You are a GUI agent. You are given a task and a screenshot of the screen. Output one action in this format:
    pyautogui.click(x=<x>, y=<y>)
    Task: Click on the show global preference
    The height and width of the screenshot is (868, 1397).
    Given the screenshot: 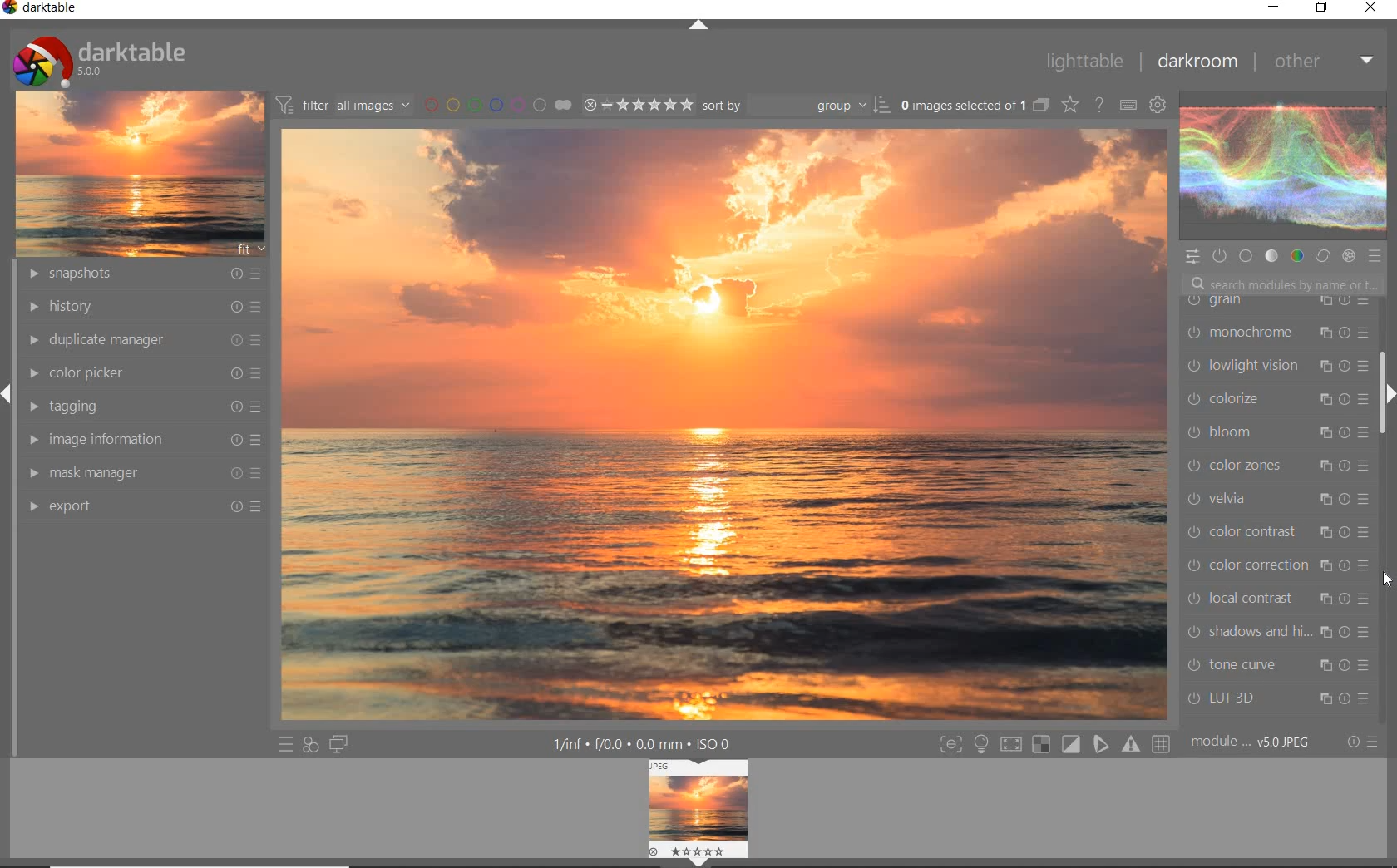 What is the action you would take?
    pyautogui.click(x=1159, y=104)
    